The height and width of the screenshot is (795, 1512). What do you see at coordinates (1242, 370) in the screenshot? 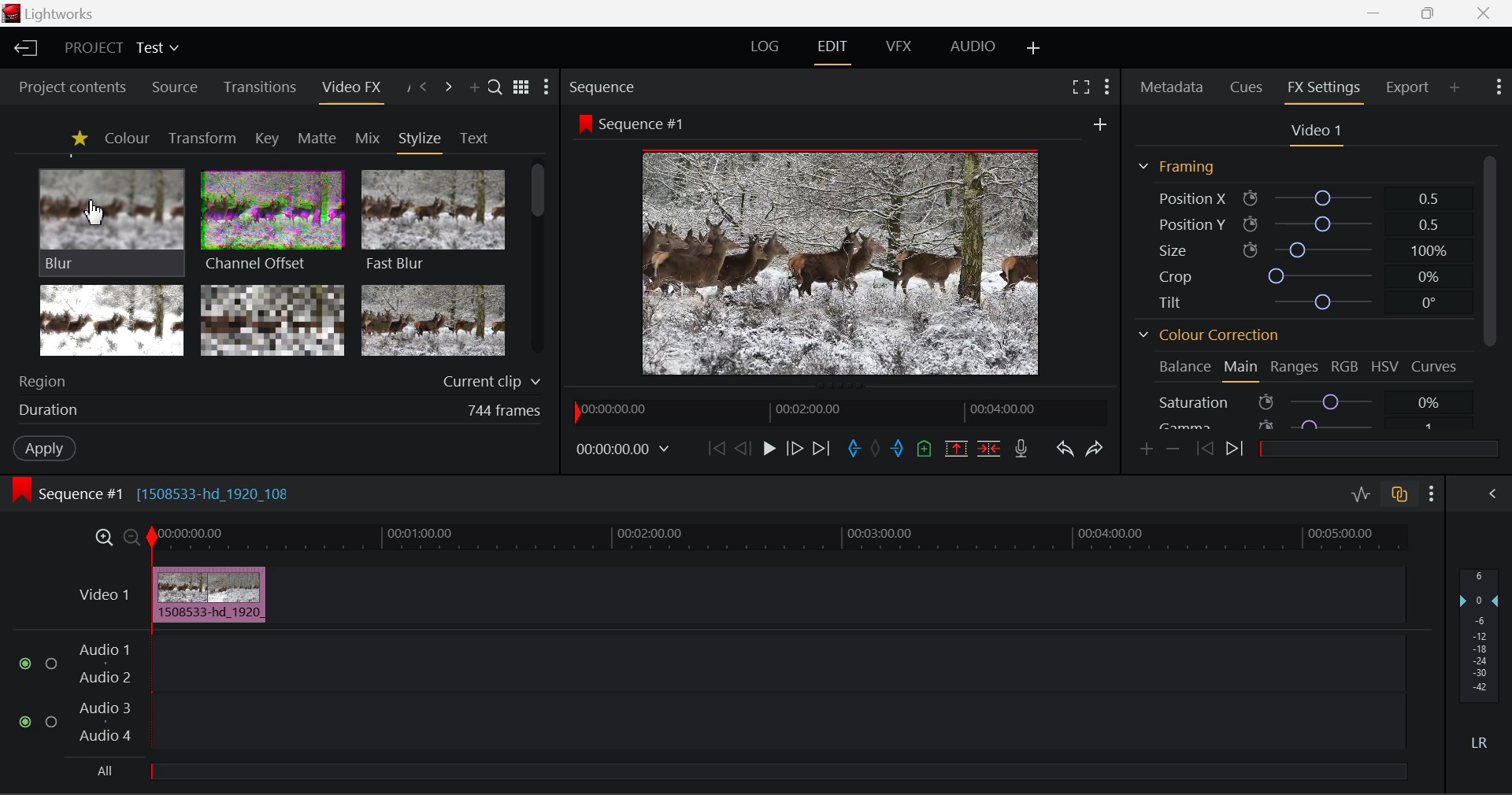
I see `Main` at bounding box center [1242, 370].